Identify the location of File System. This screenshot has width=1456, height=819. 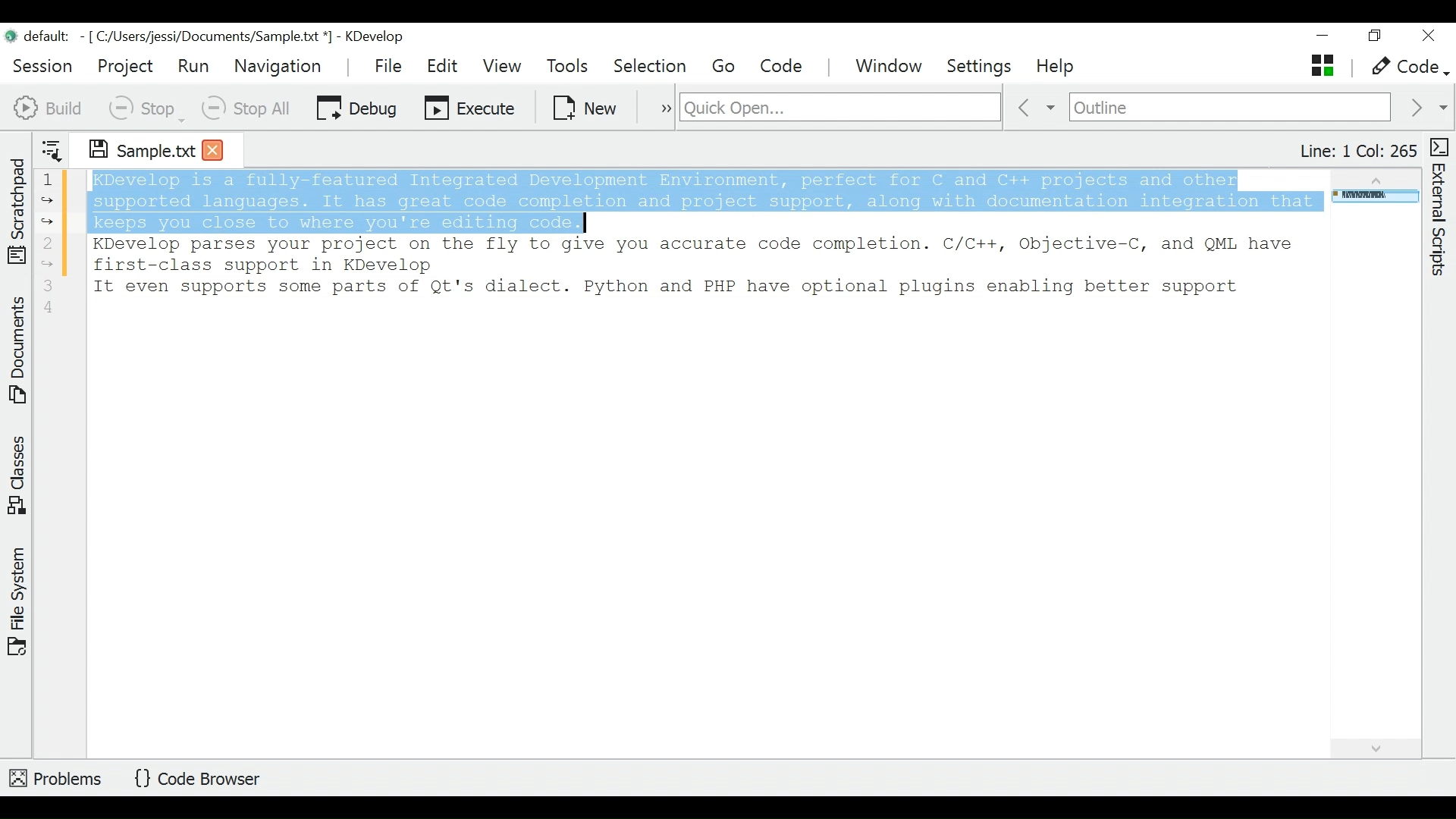
(17, 600).